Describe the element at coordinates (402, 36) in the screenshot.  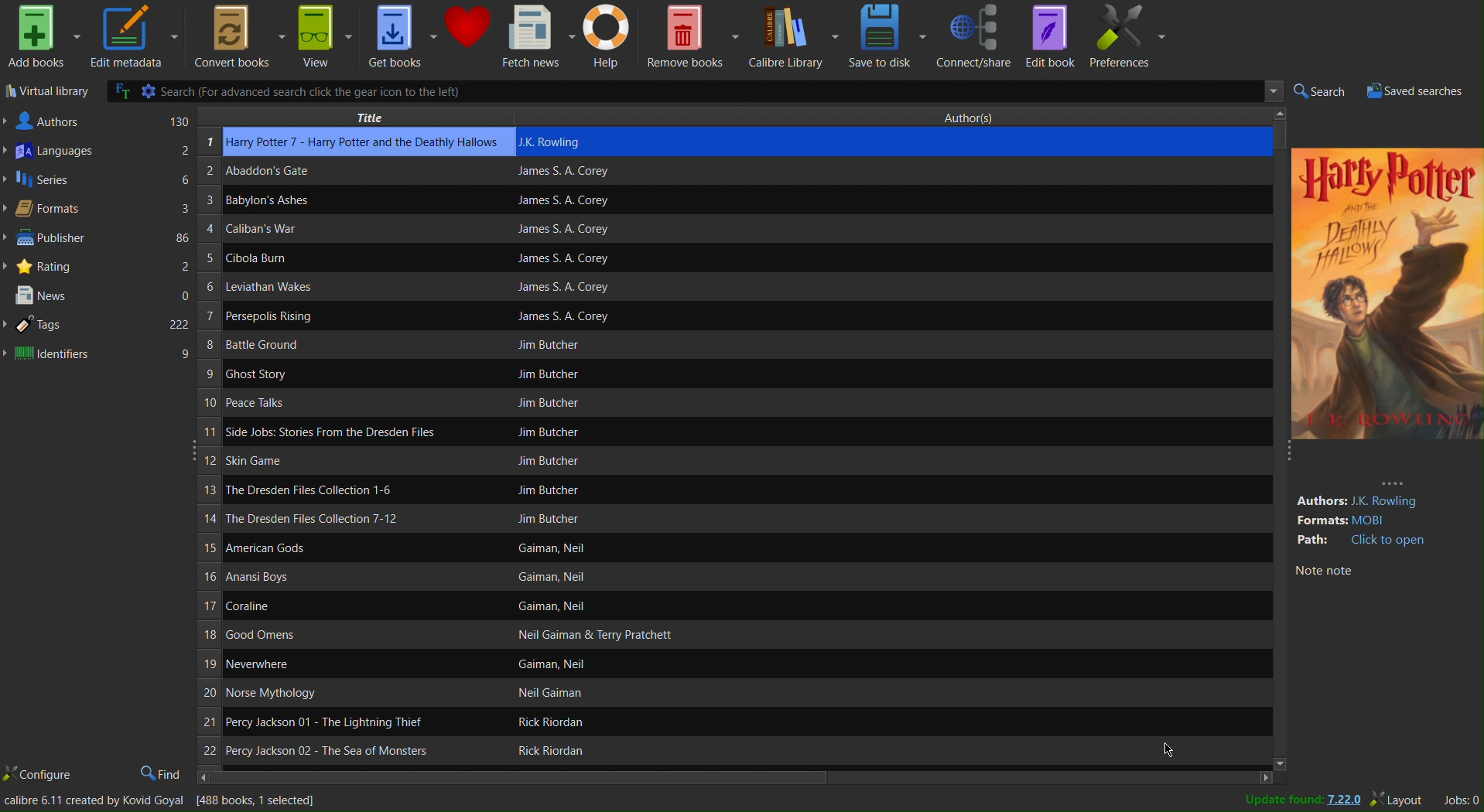
I see `Get books` at that location.